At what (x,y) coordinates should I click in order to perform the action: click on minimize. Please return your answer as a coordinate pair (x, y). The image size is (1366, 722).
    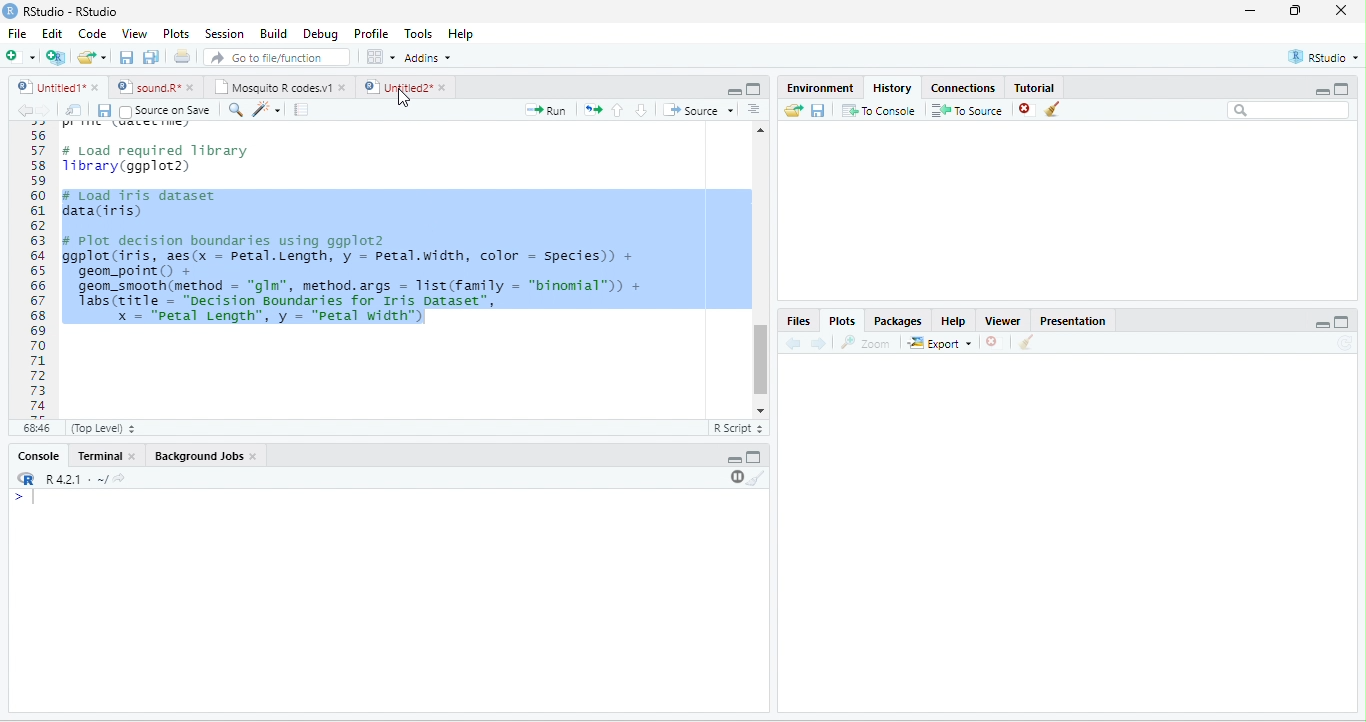
    Looking at the image, I should click on (1251, 10).